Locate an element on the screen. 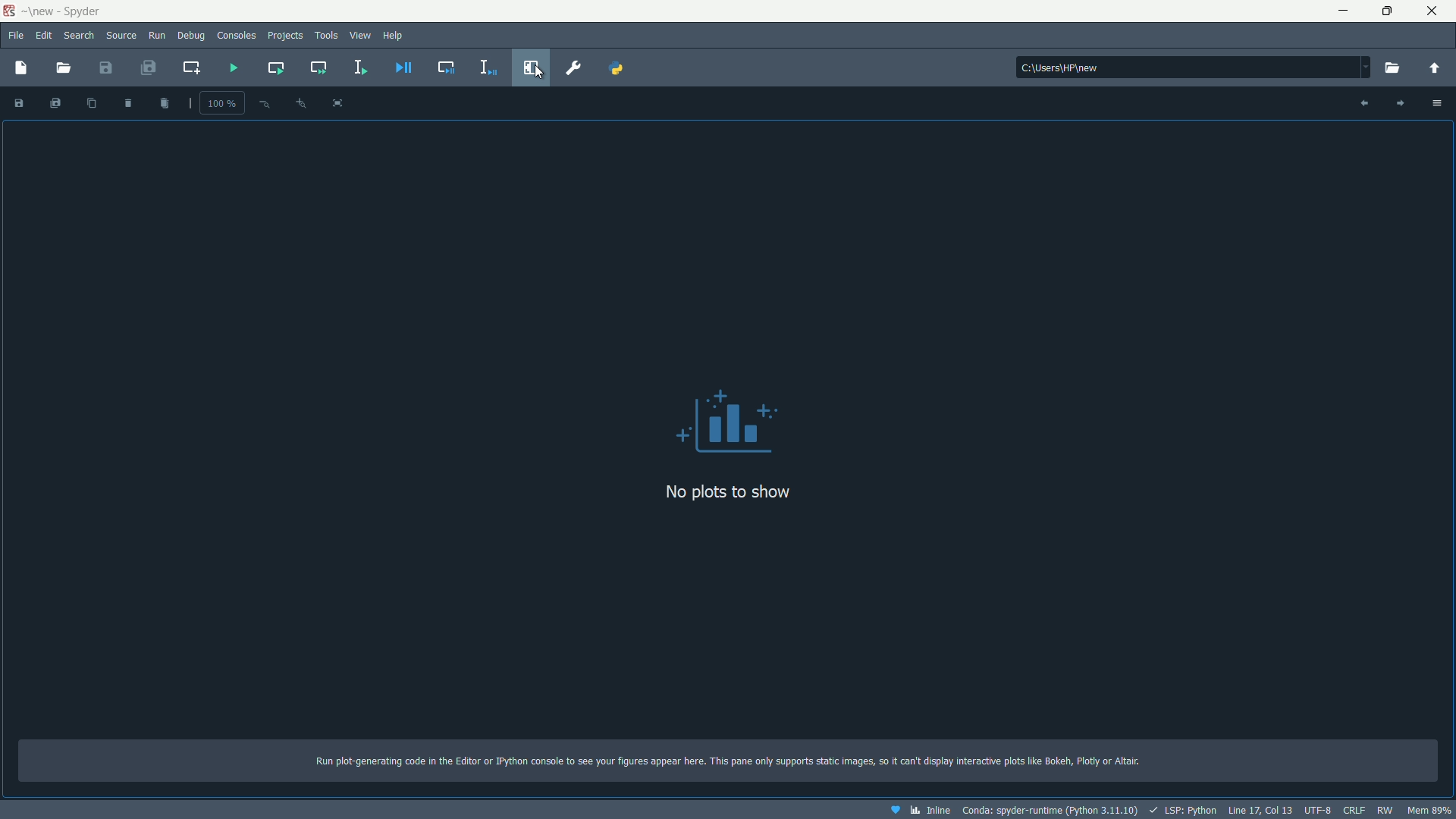 Image resolution: width=1456 pixels, height=819 pixels. cursor position is located at coordinates (1260, 811).